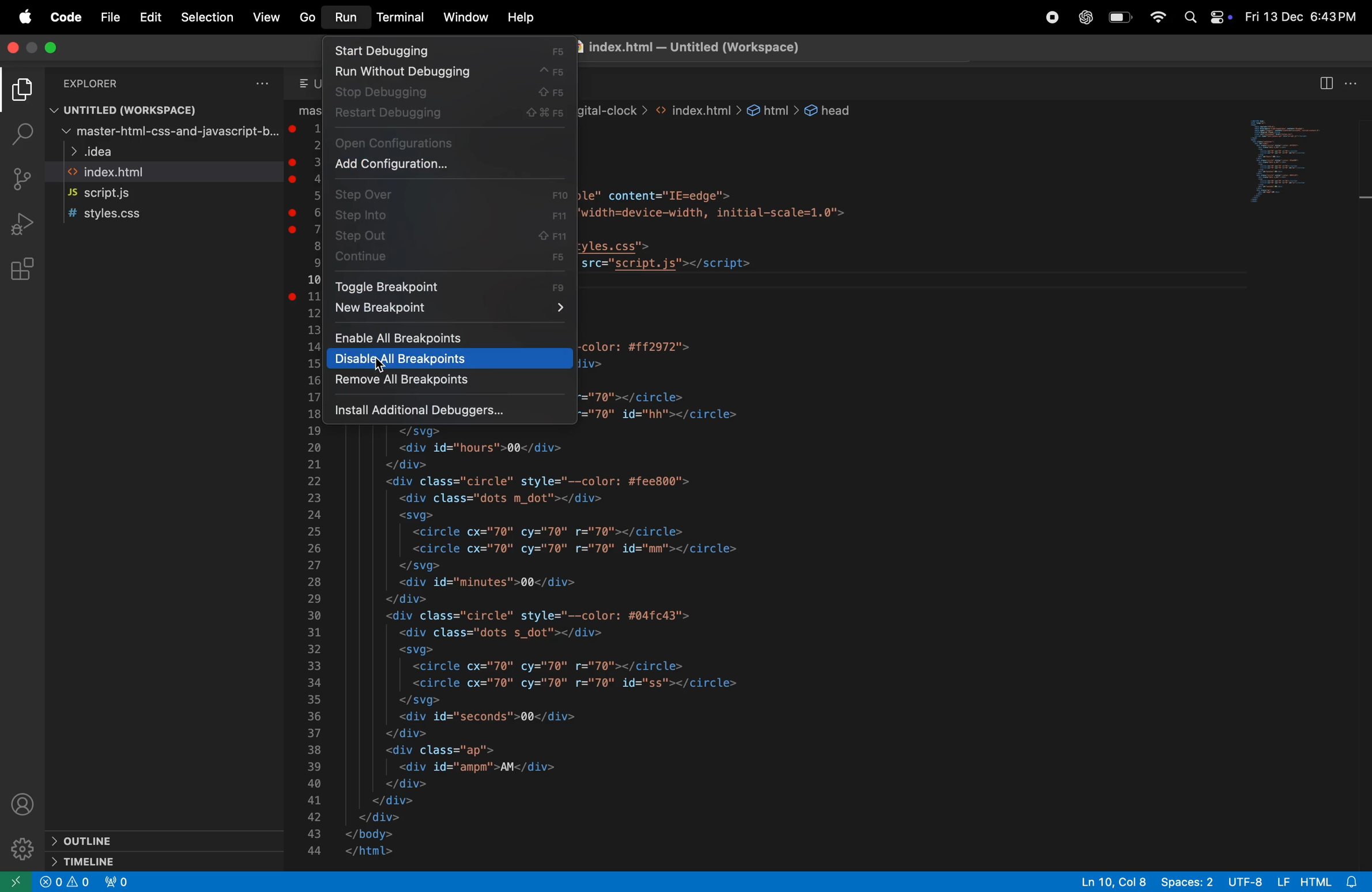 The width and height of the screenshot is (1372, 892). What do you see at coordinates (18, 880) in the screenshot?
I see `open remote view` at bounding box center [18, 880].